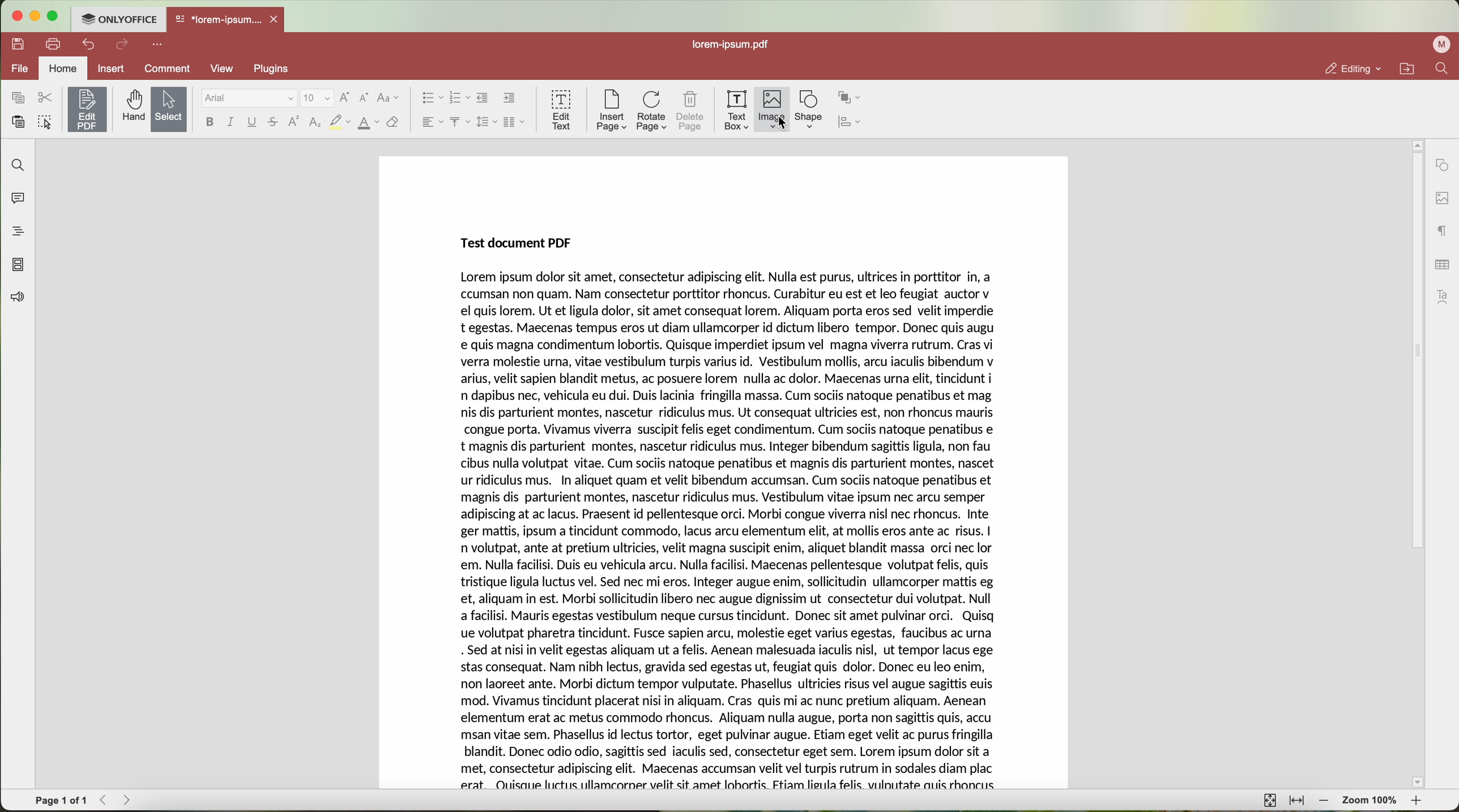 Image resolution: width=1459 pixels, height=812 pixels. Describe the element at coordinates (519, 242) in the screenshot. I see `Test document PDF` at that location.